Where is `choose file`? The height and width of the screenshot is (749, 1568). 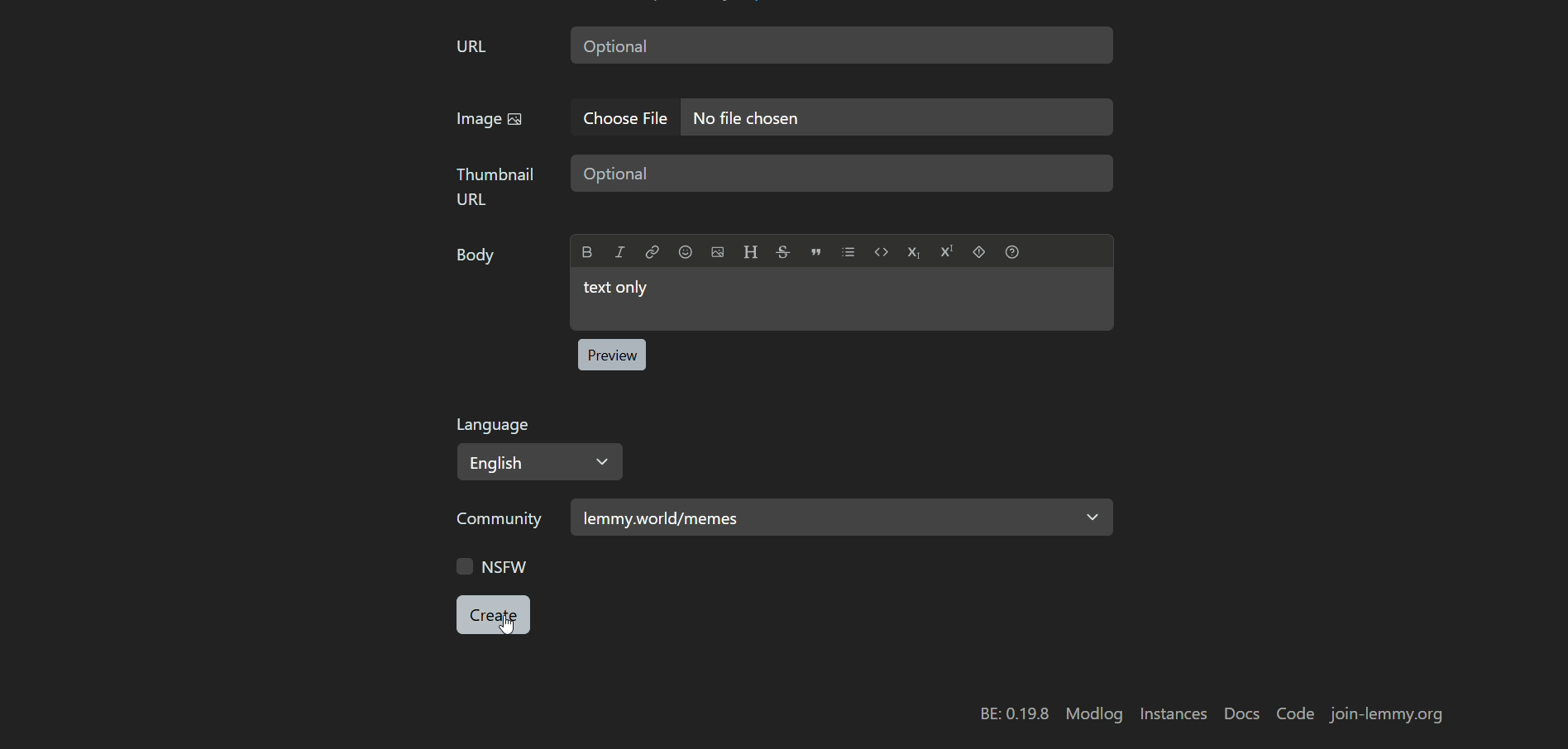
choose file is located at coordinates (629, 117).